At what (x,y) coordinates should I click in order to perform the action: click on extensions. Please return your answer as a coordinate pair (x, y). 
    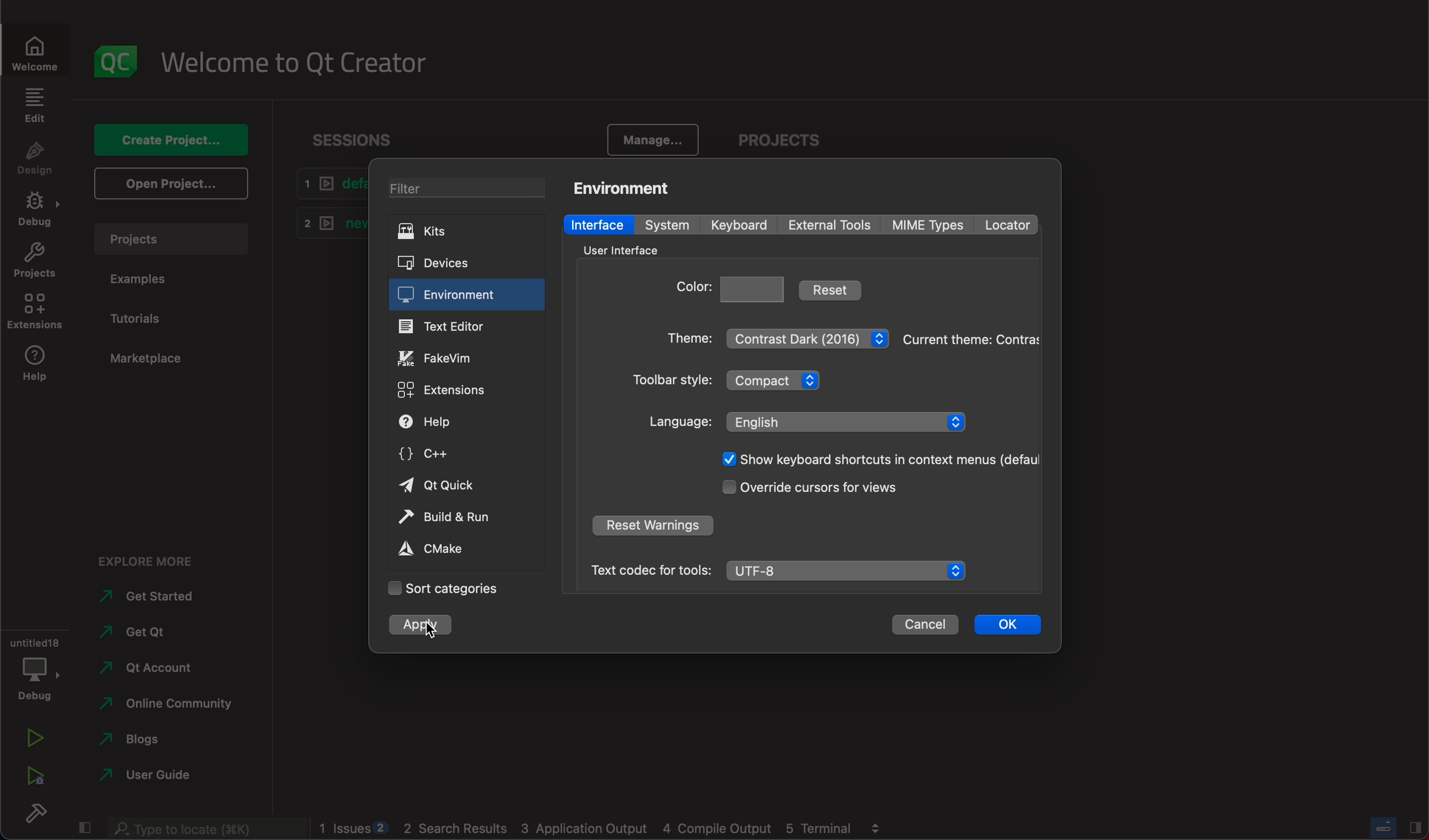
    Looking at the image, I should click on (36, 312).